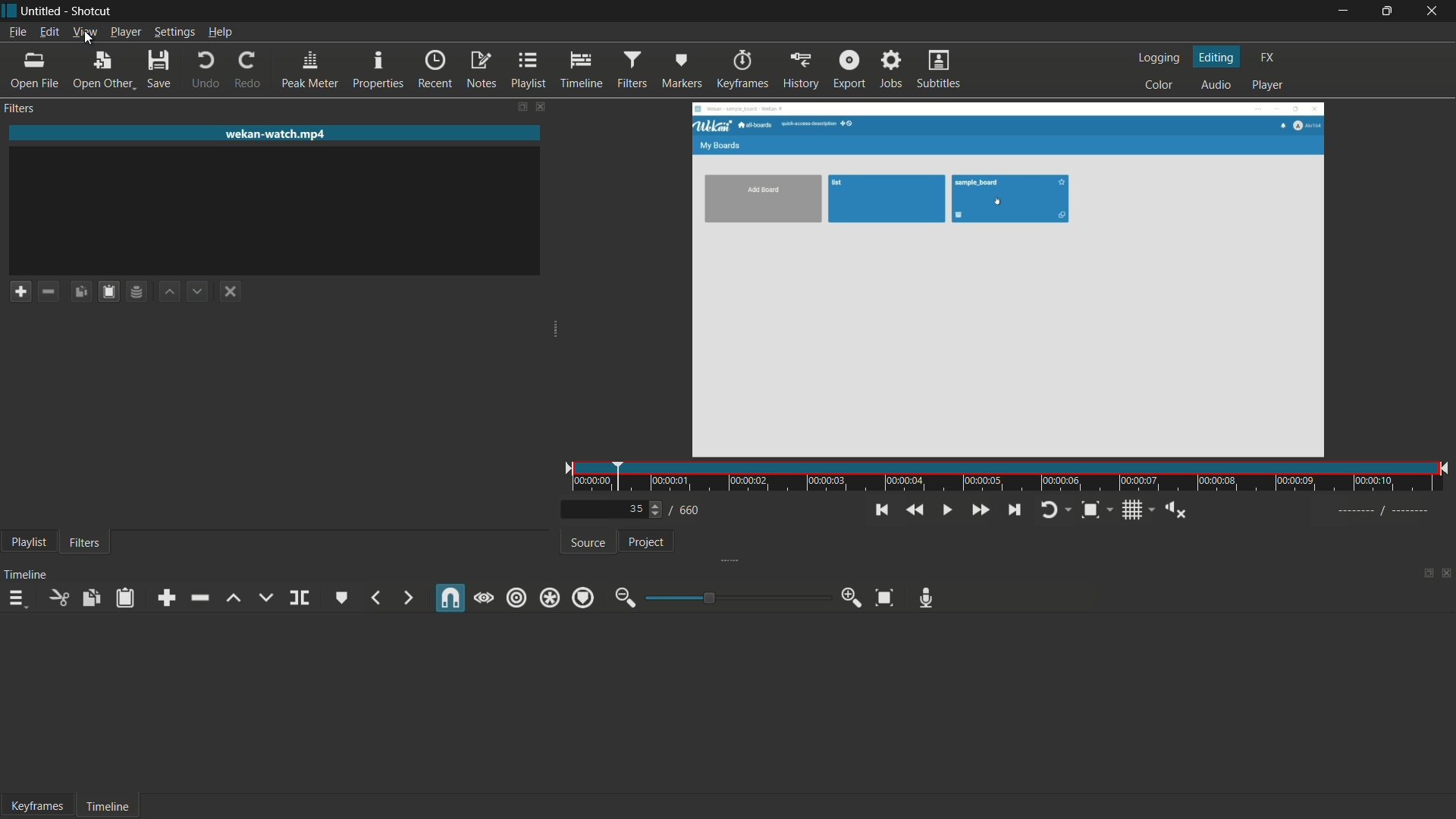  Describe the element at coordinates (379, 598) in the screenshot. I see `previous marker` at that location.